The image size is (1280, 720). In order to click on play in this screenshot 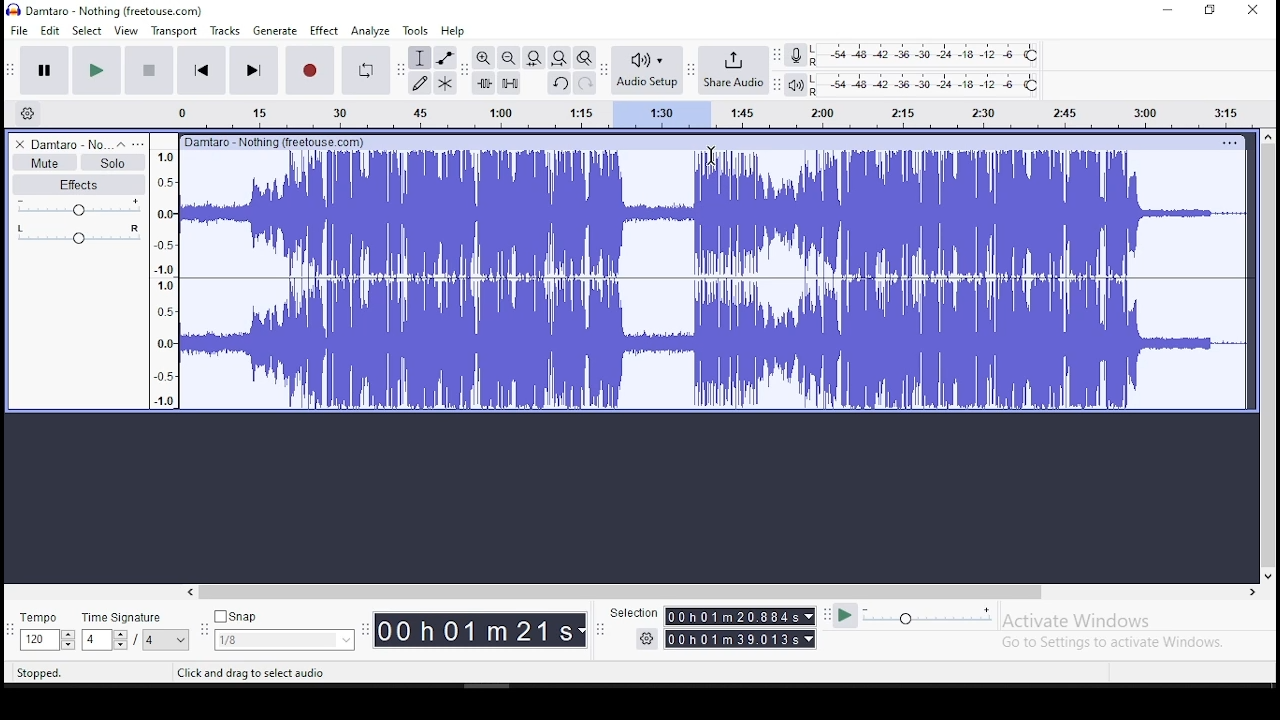, I will do `click(96, 71)`.